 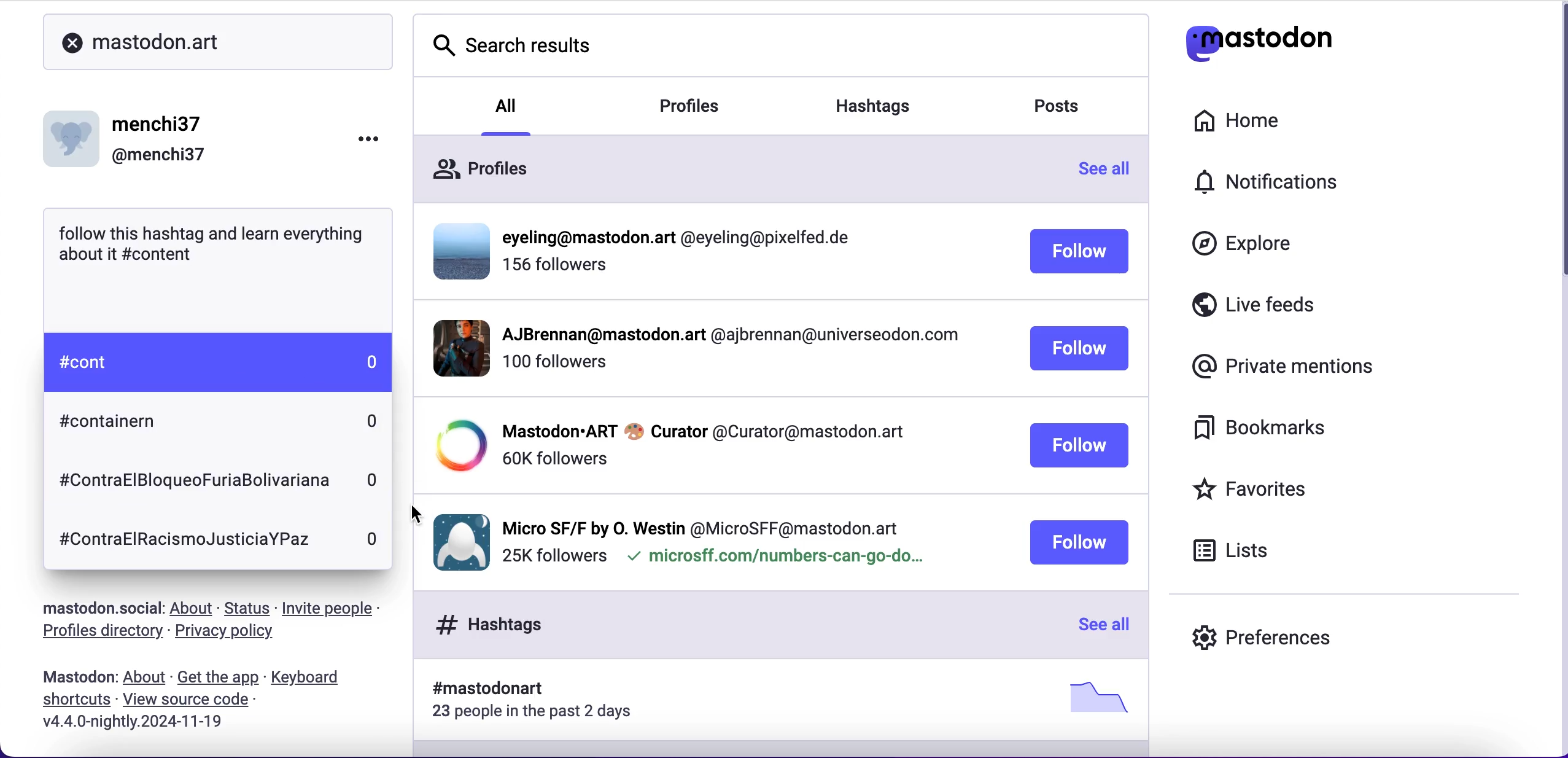 What do you see at coordinates (1241, 554) in the screenshot?
I see `lists` at bounding box center [1241, 554].